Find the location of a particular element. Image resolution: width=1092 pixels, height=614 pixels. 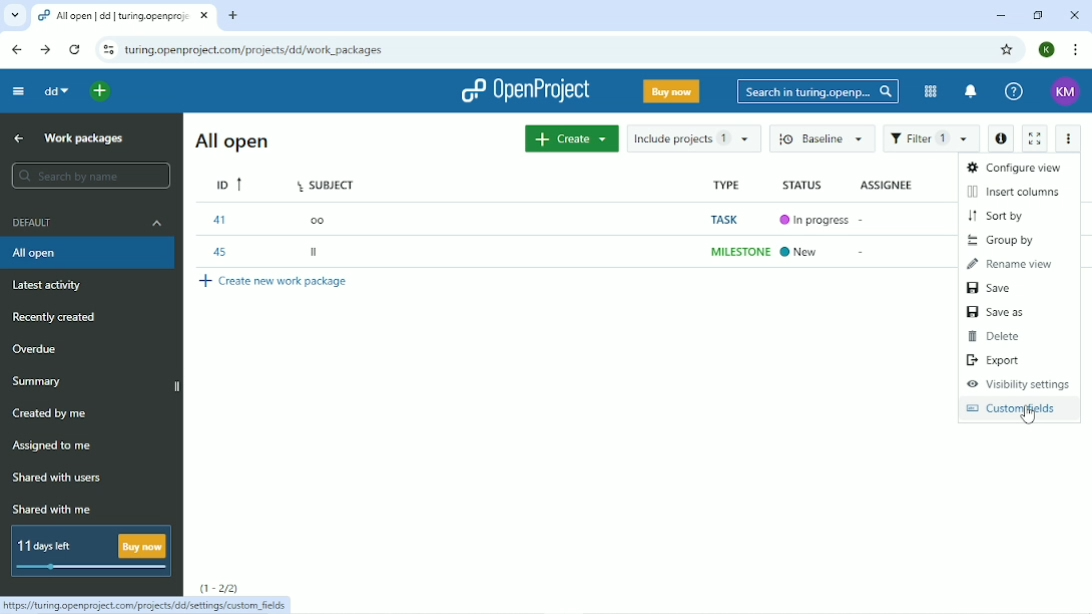

Export is located at coordinates (997, 360).